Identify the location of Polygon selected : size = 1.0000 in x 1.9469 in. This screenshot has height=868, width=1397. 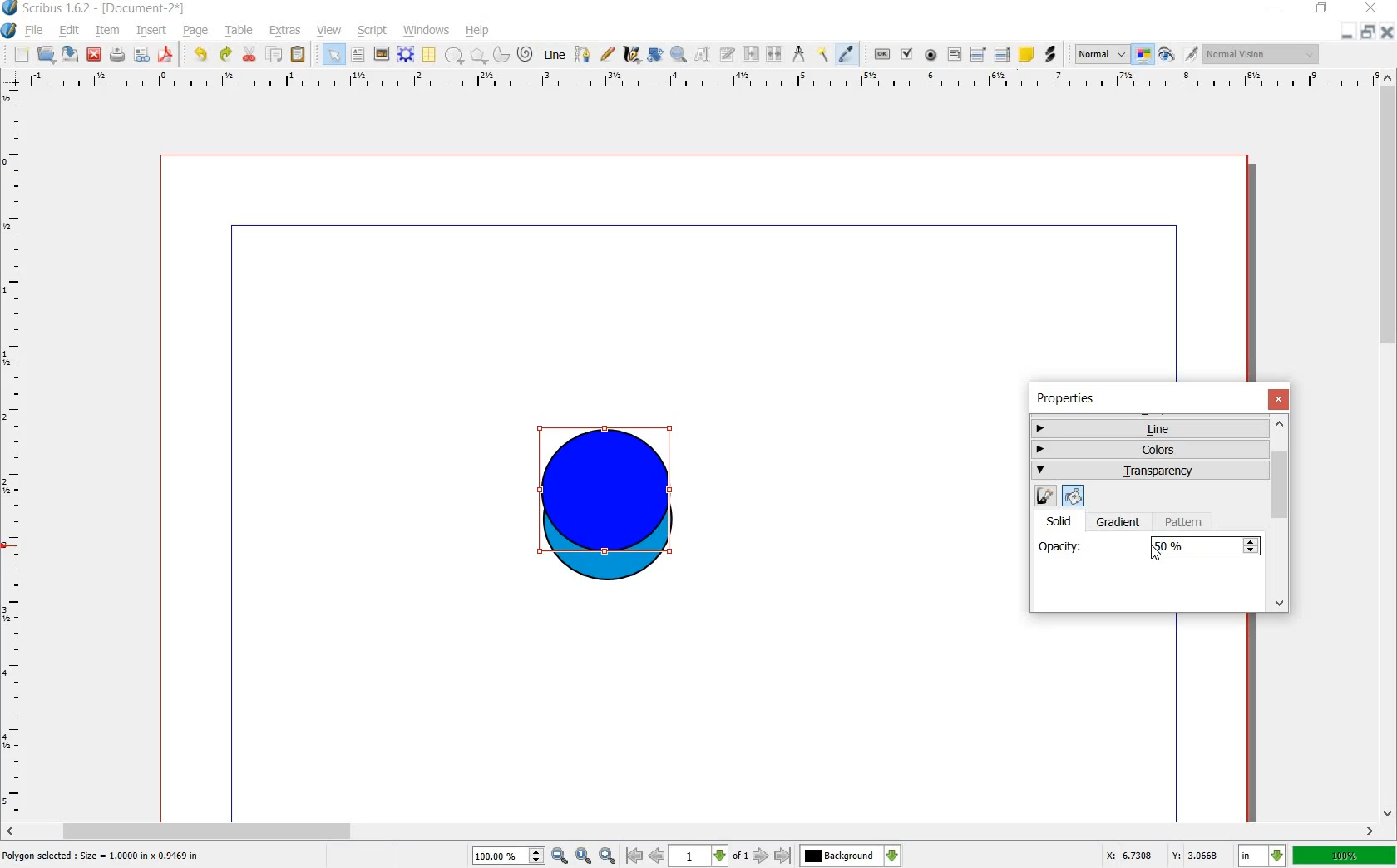
(102, 855).